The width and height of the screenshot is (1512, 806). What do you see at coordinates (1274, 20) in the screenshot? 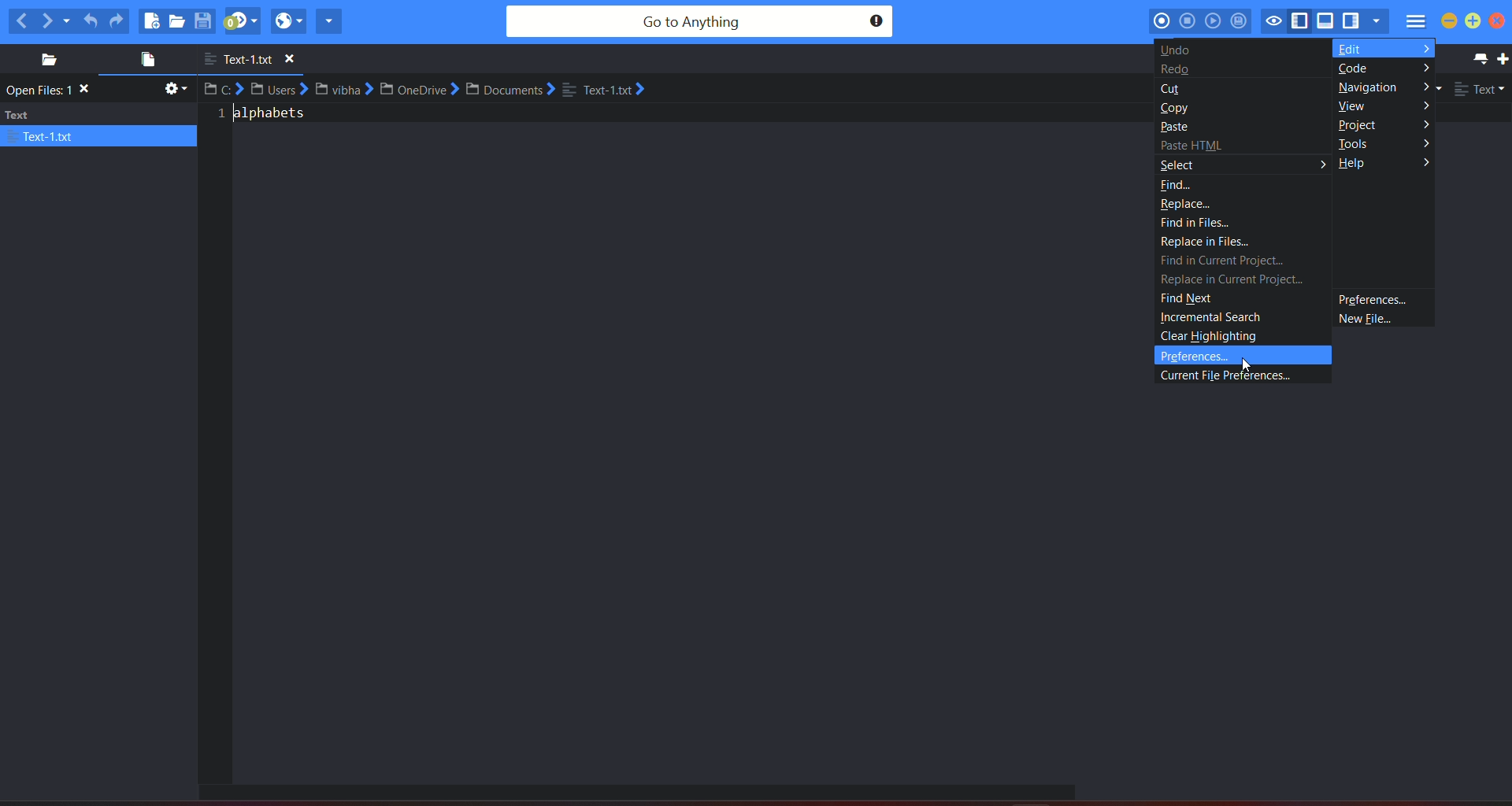
I see `toggle focus mode` at bounding box center [1274, 20].